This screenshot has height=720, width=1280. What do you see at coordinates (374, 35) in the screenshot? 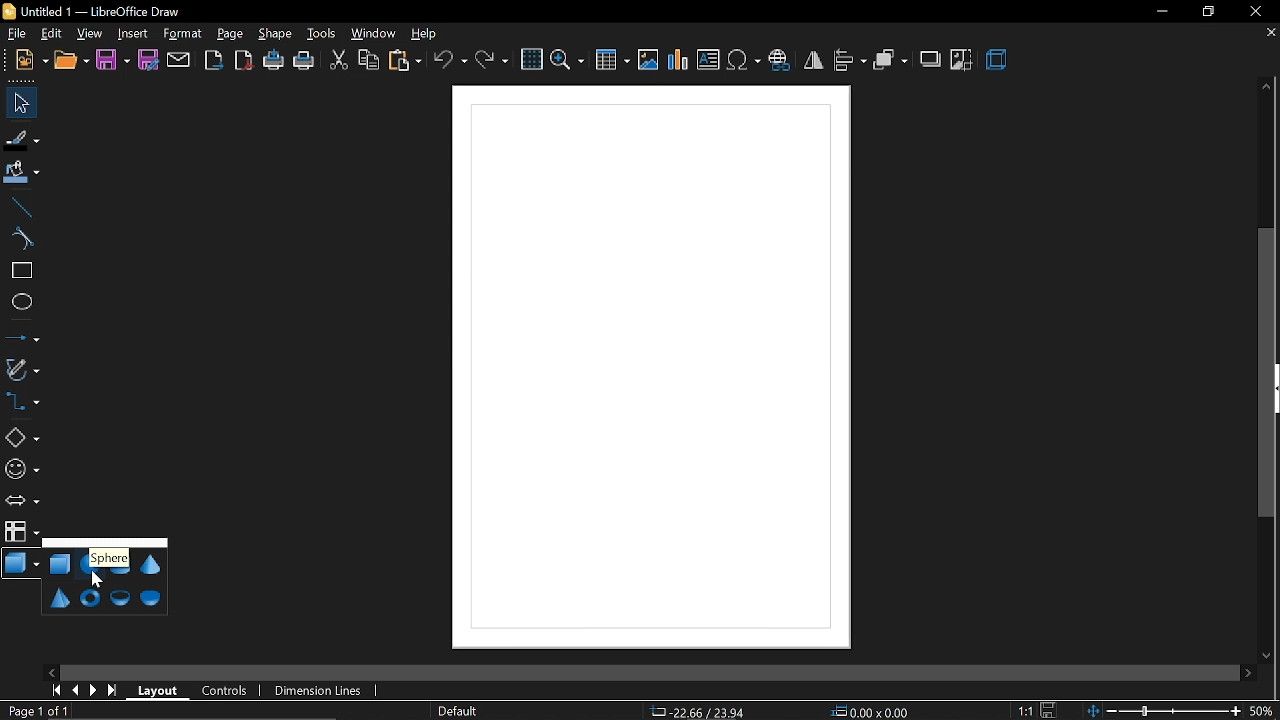
I see `window` at bounding box center [374, 35].